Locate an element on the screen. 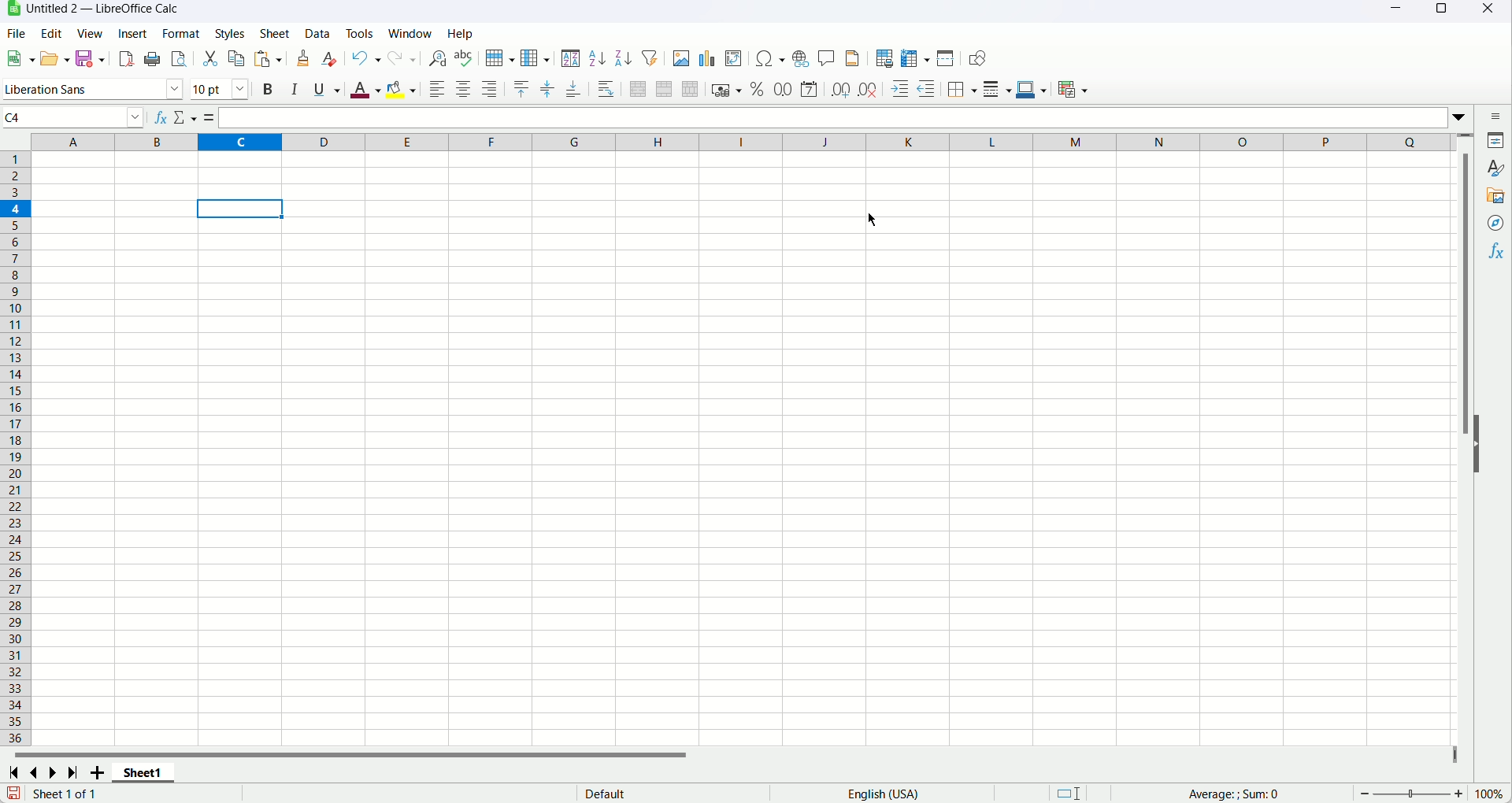  Data is located at coordinates (318, 35).